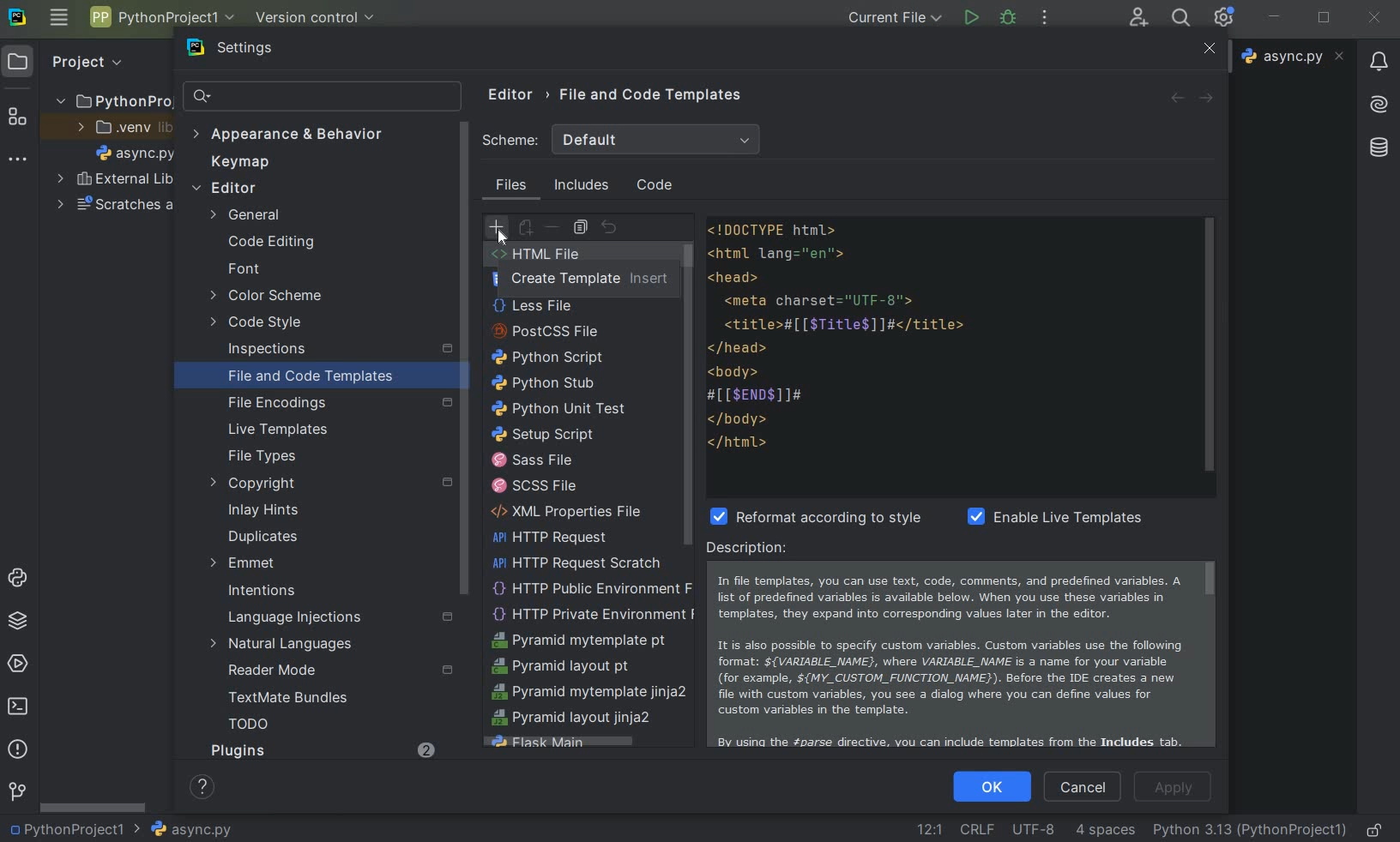  What do you see at coordinates (273, 538) in the screenshot?
I see `duplicates` at bounding box center [273, 538].